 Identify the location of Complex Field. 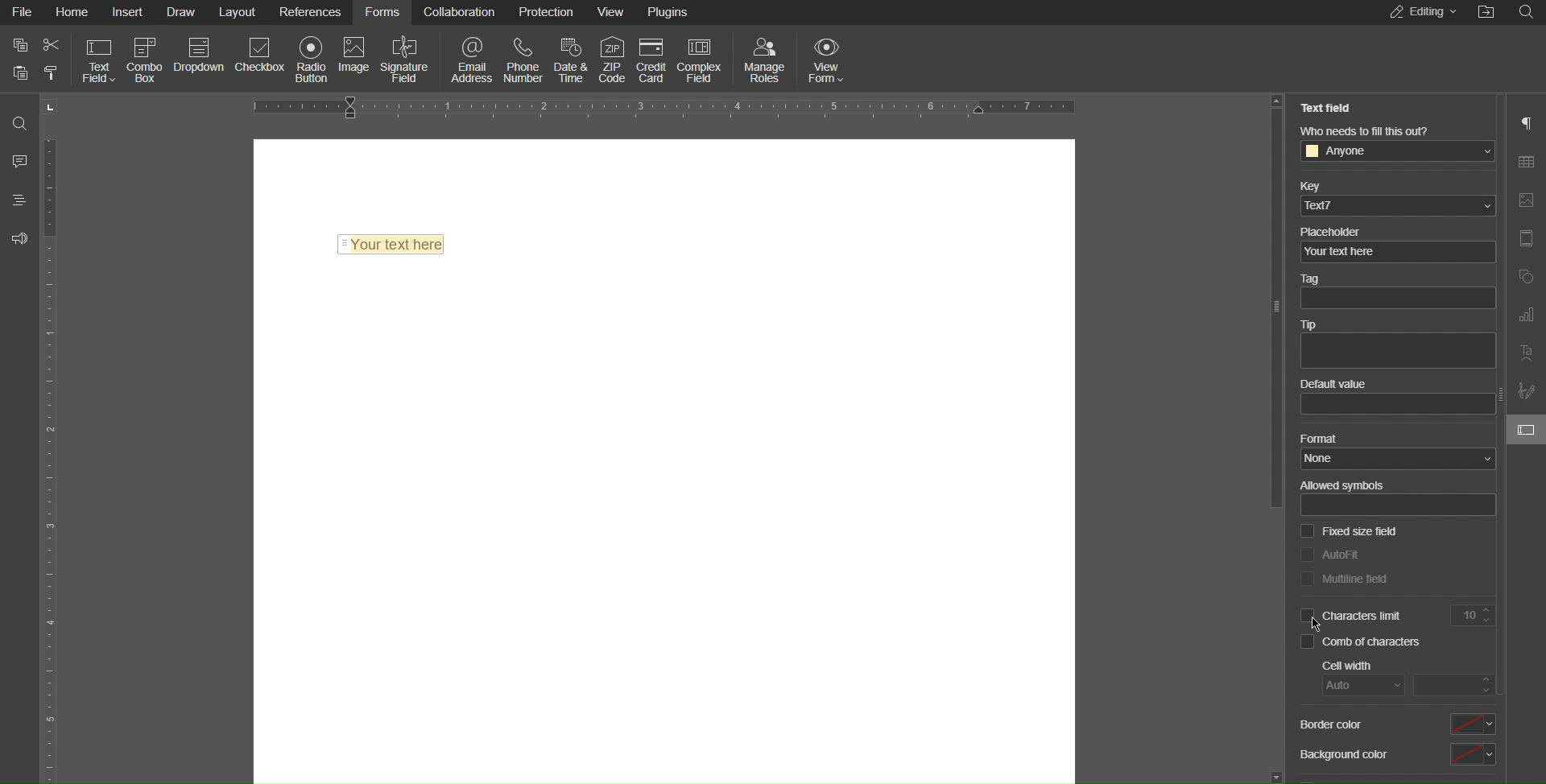
(701, 56).